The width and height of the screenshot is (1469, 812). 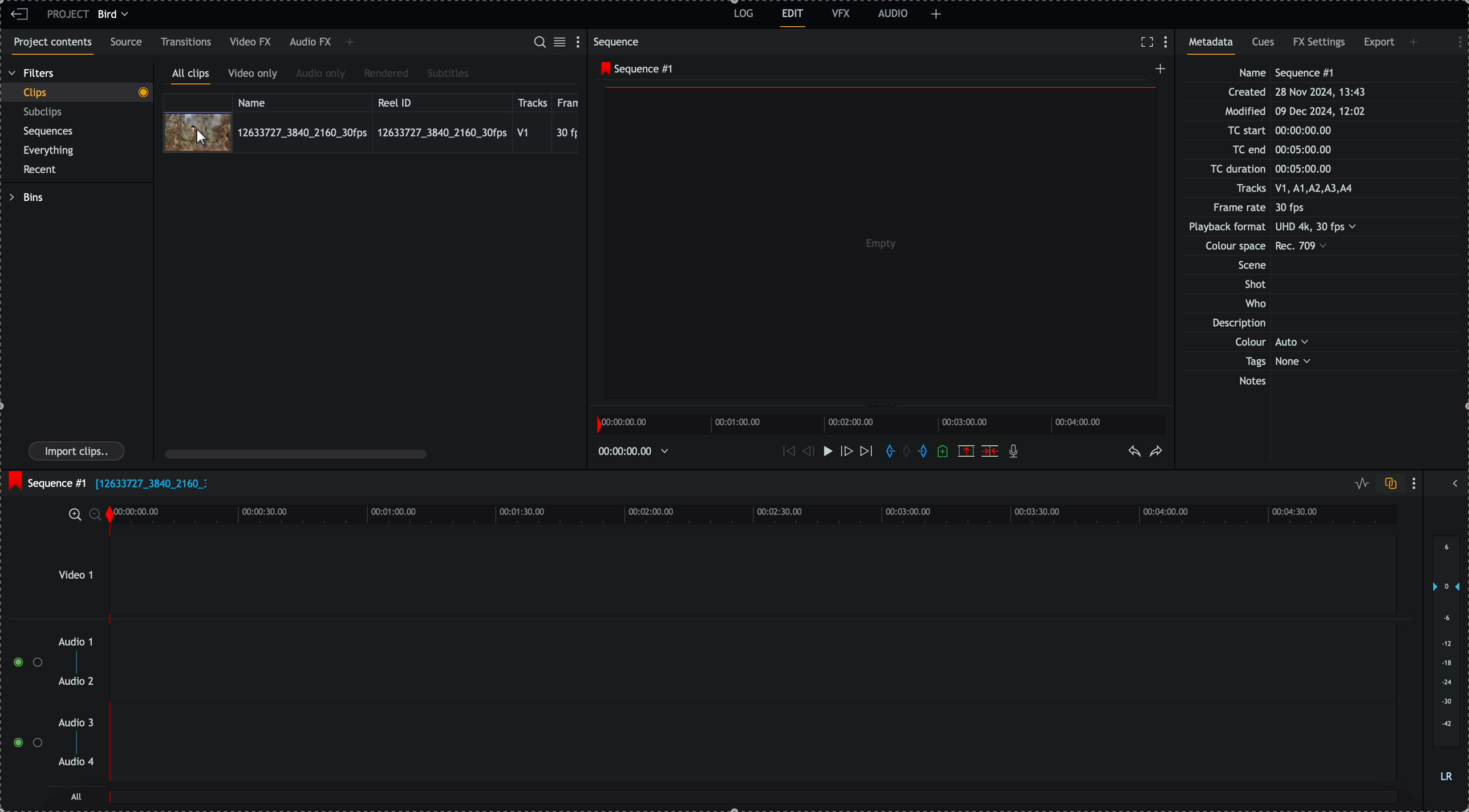 I want to click on delete/cut, so click(x=990, y=451).